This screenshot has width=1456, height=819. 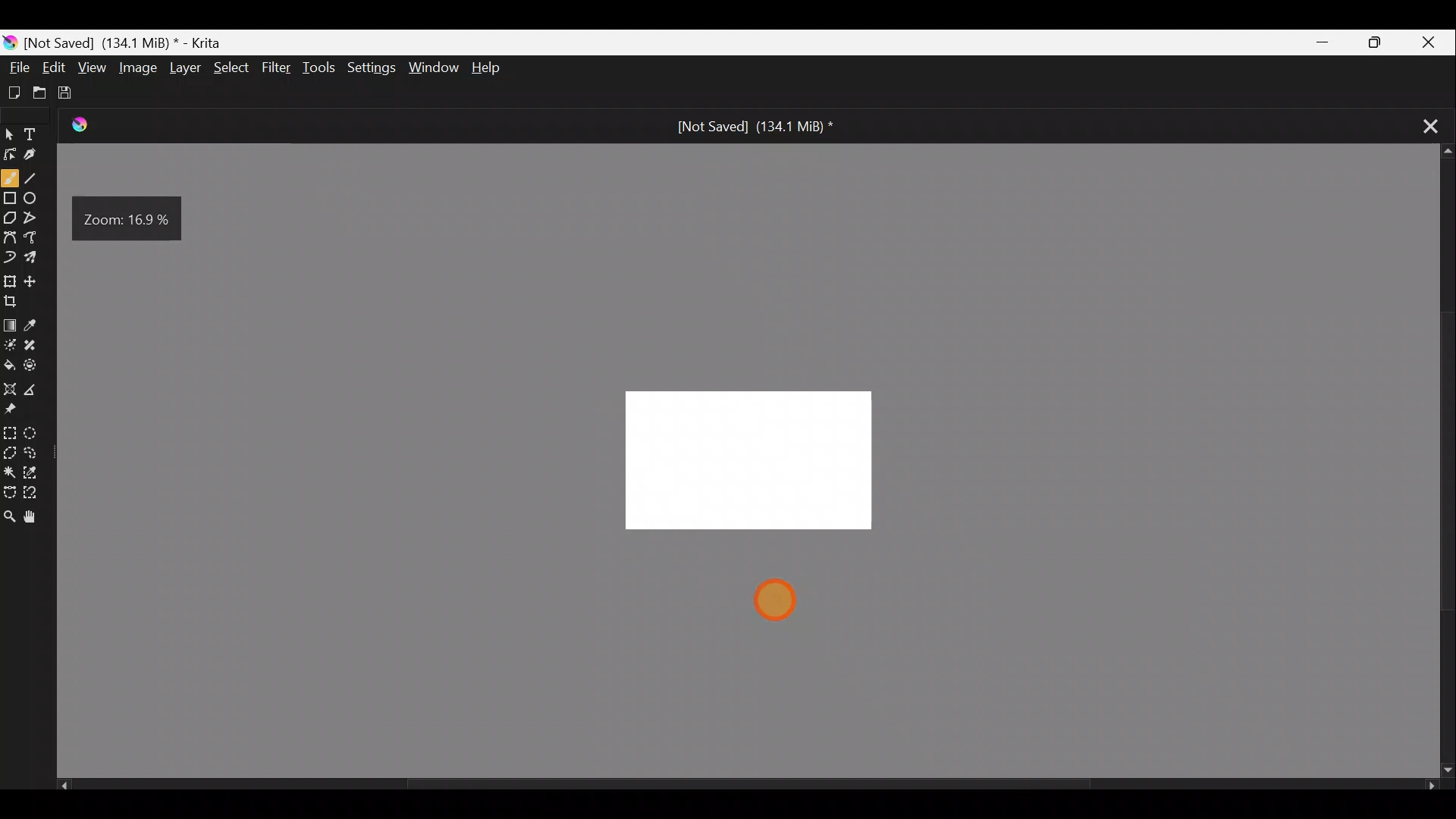 What do you see at coordinates (35, 196) in the screenshot?
I see `Ellipse tool` at bounding box center [35, 196].